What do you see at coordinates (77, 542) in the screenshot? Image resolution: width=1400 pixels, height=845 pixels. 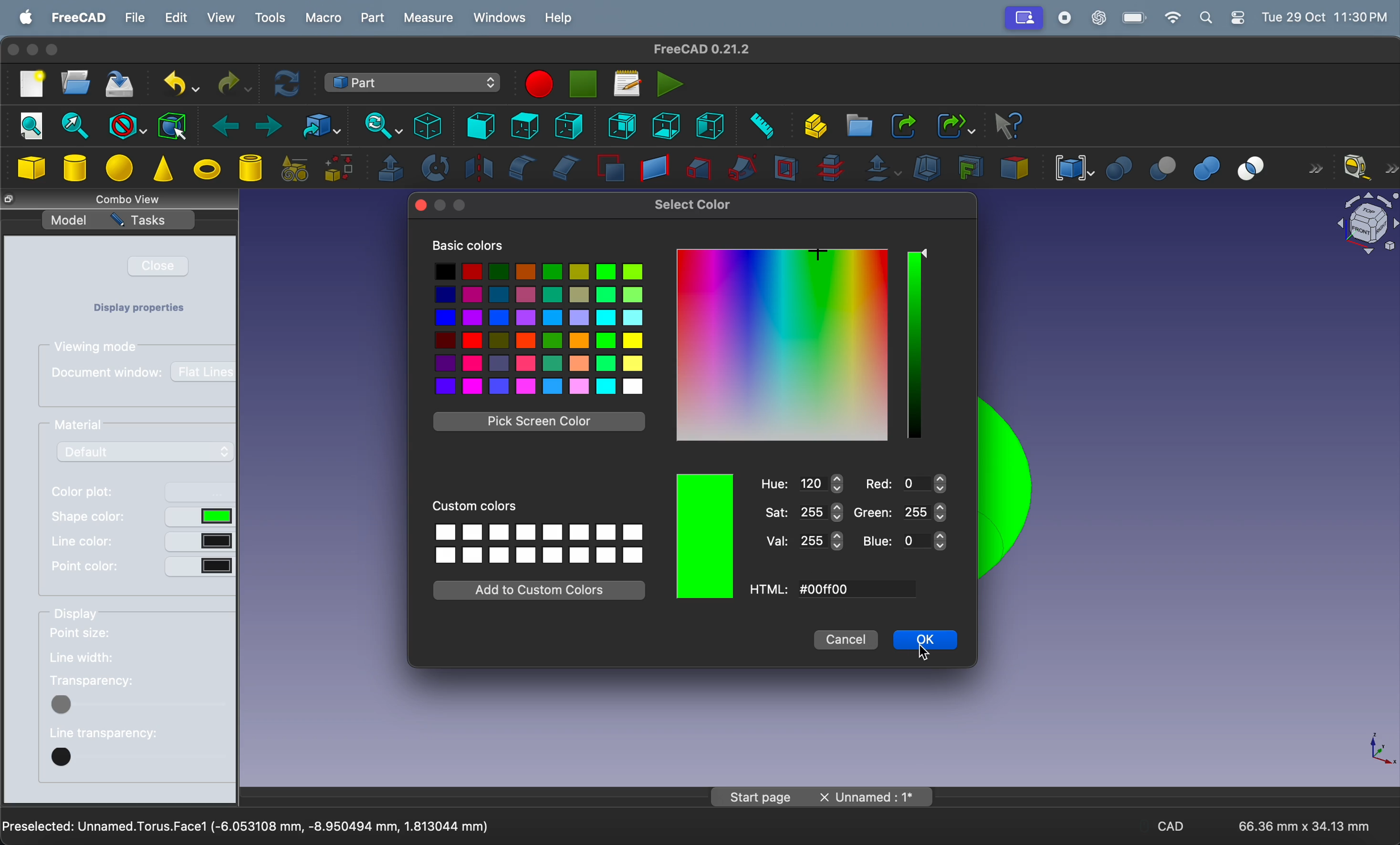 I see `line color` at bounding box center [77, 542].